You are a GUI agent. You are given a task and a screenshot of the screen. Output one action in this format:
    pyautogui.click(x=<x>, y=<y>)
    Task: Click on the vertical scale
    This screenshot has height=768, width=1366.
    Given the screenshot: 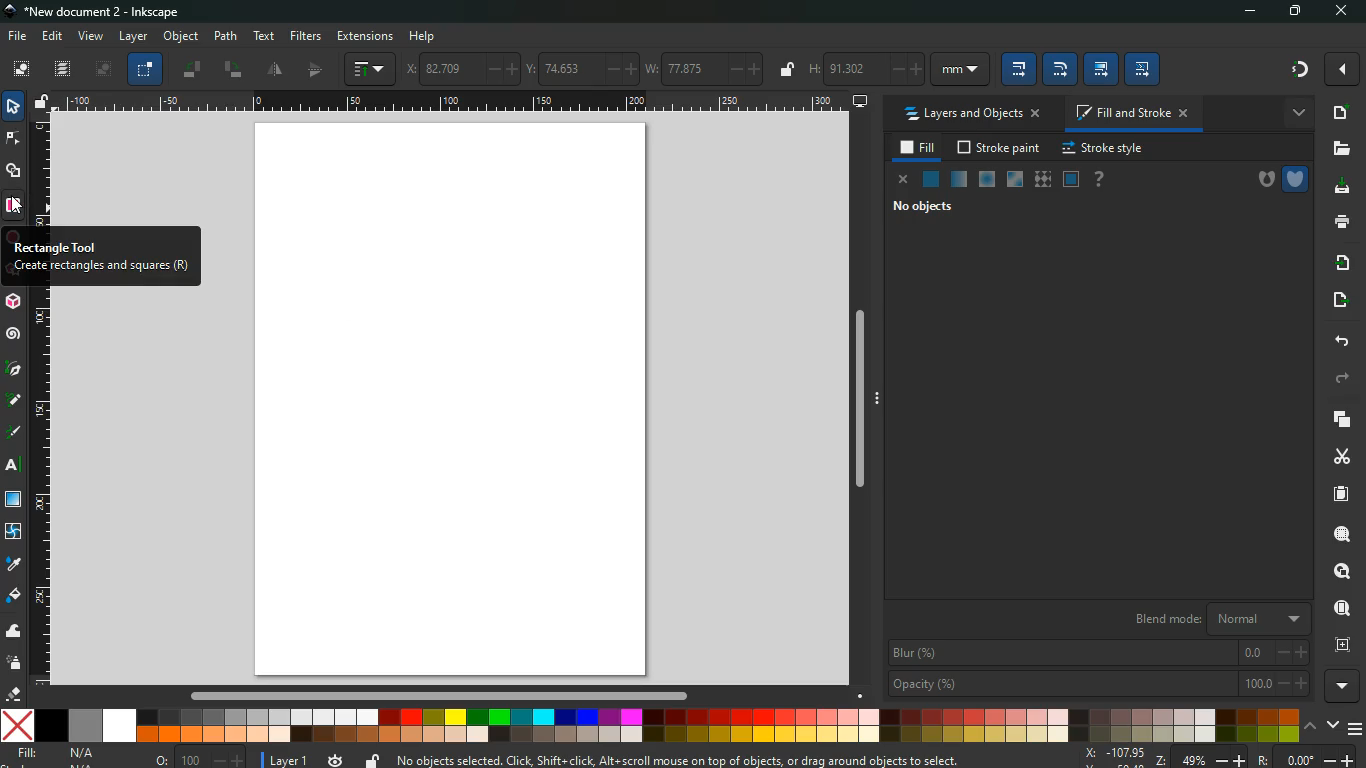 What is the action you would take?
    pyautogui.click(x=43, y=175)
    